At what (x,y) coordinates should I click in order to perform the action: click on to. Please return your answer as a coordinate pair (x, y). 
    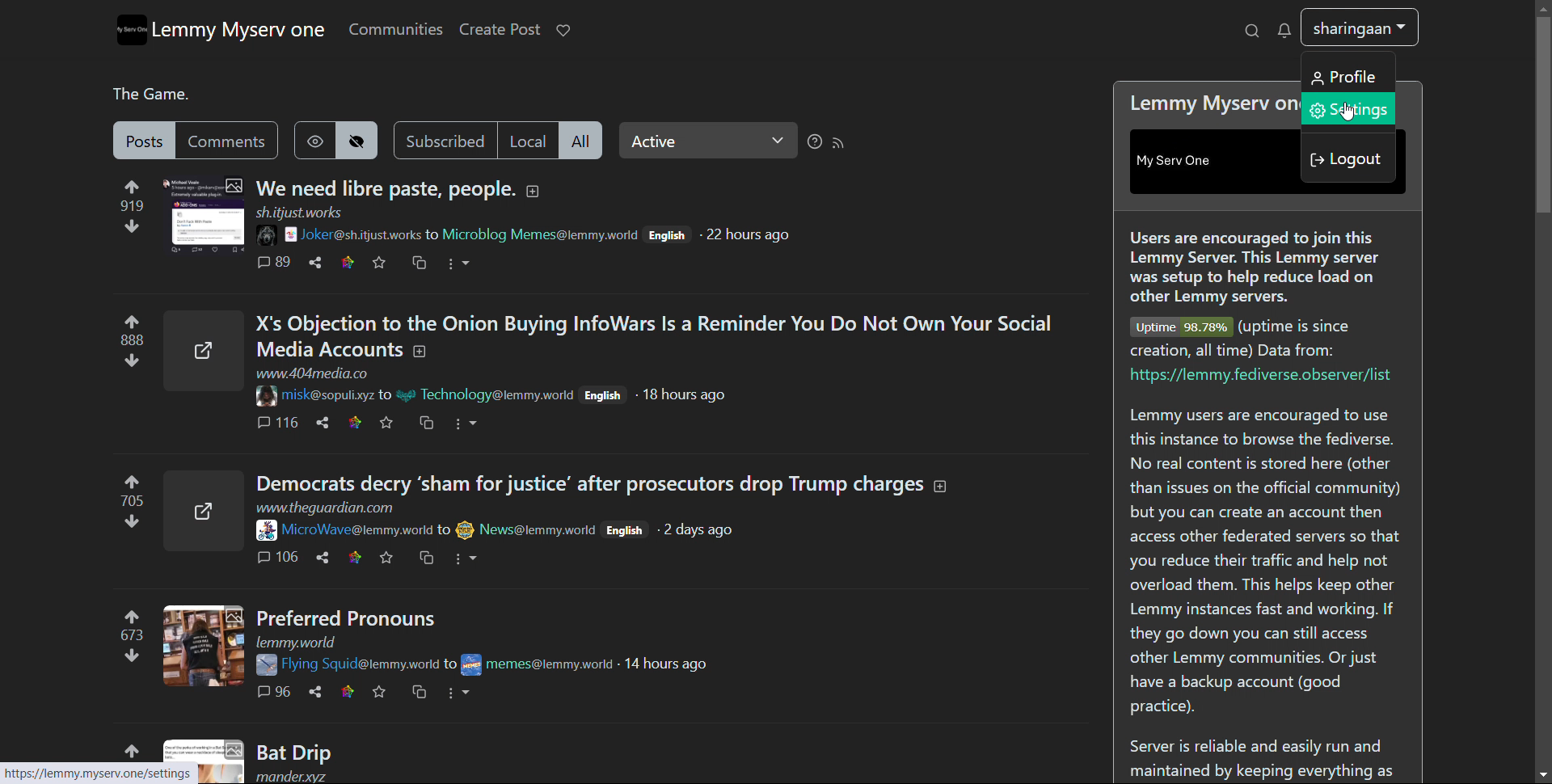
    Looking at the image, I should click on (446, 663).